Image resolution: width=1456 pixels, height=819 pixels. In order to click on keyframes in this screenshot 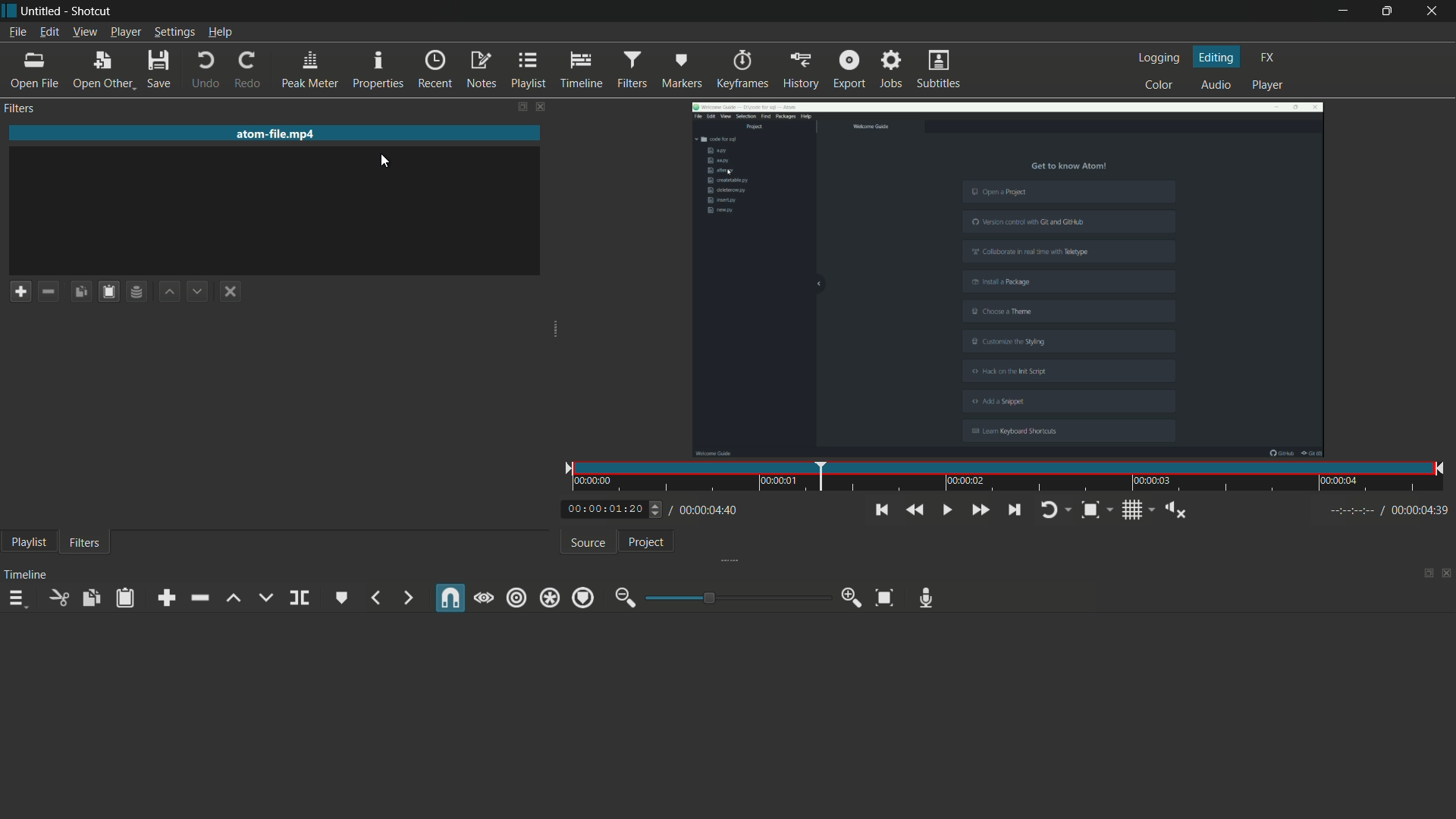, I will do `click(741, 69)`.